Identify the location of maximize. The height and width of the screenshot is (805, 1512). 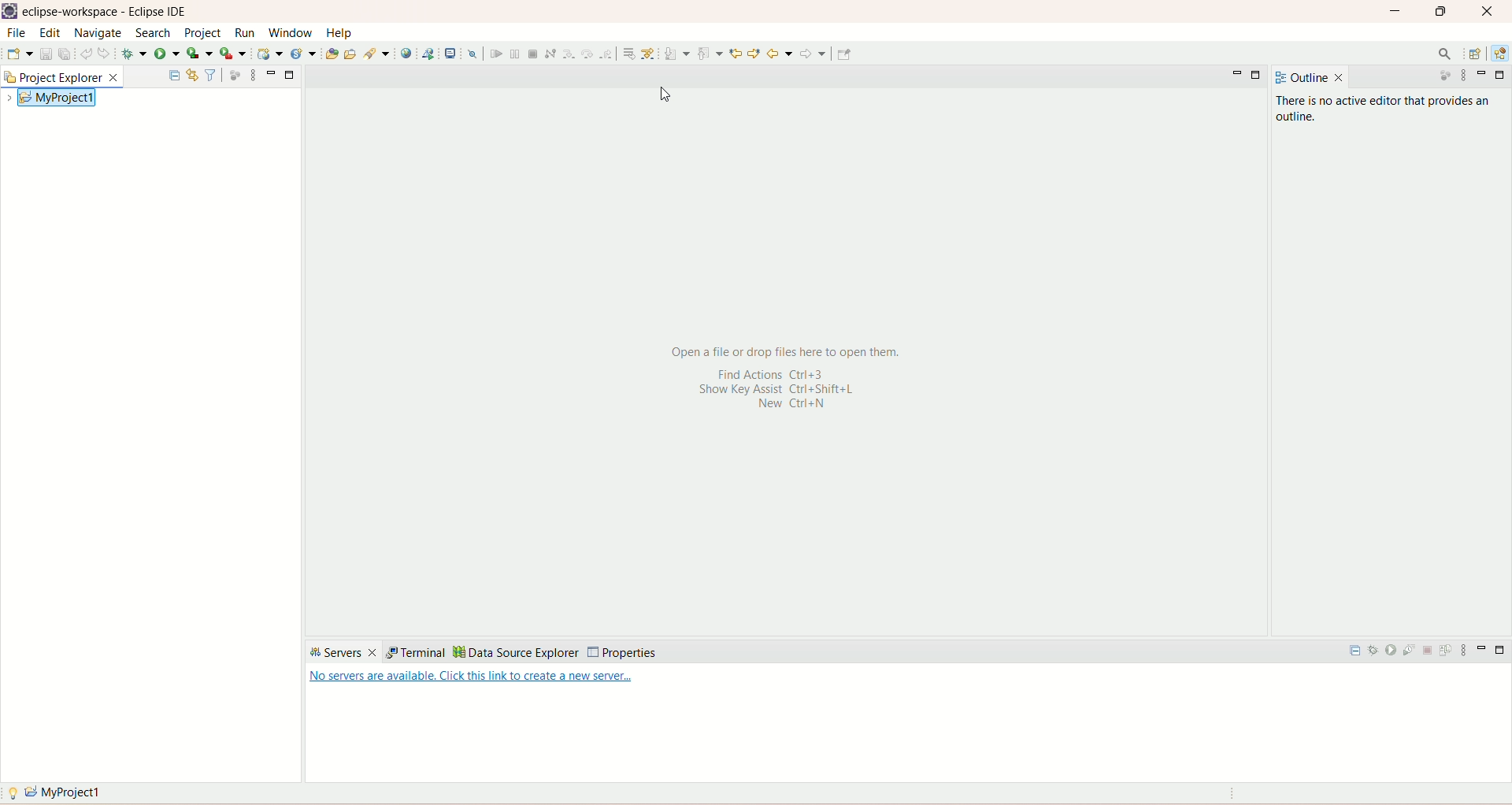
(1257, 74).